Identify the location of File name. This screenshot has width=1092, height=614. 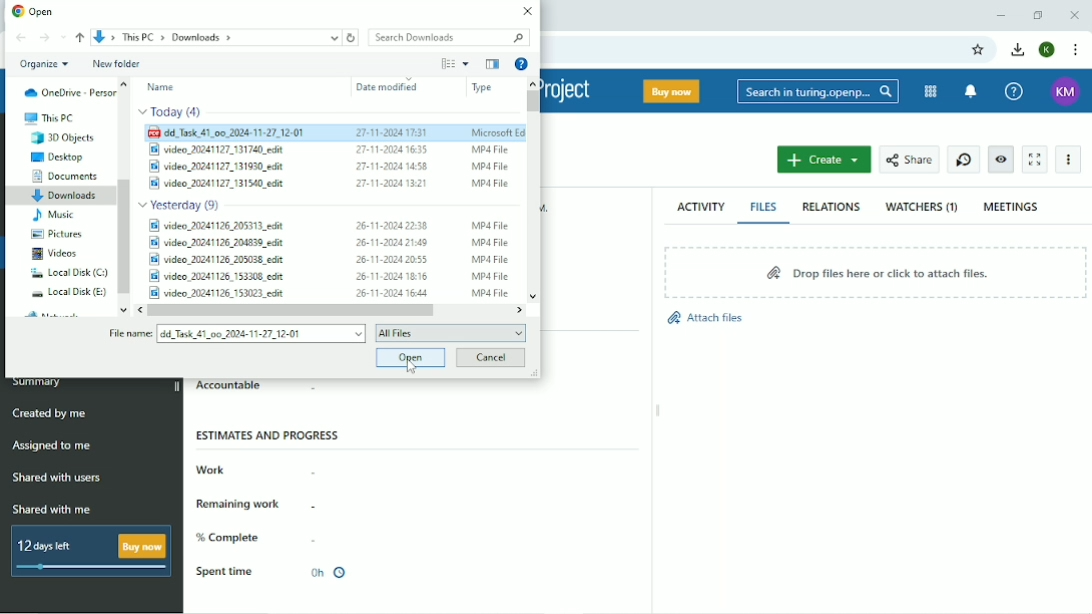
(128, 335).